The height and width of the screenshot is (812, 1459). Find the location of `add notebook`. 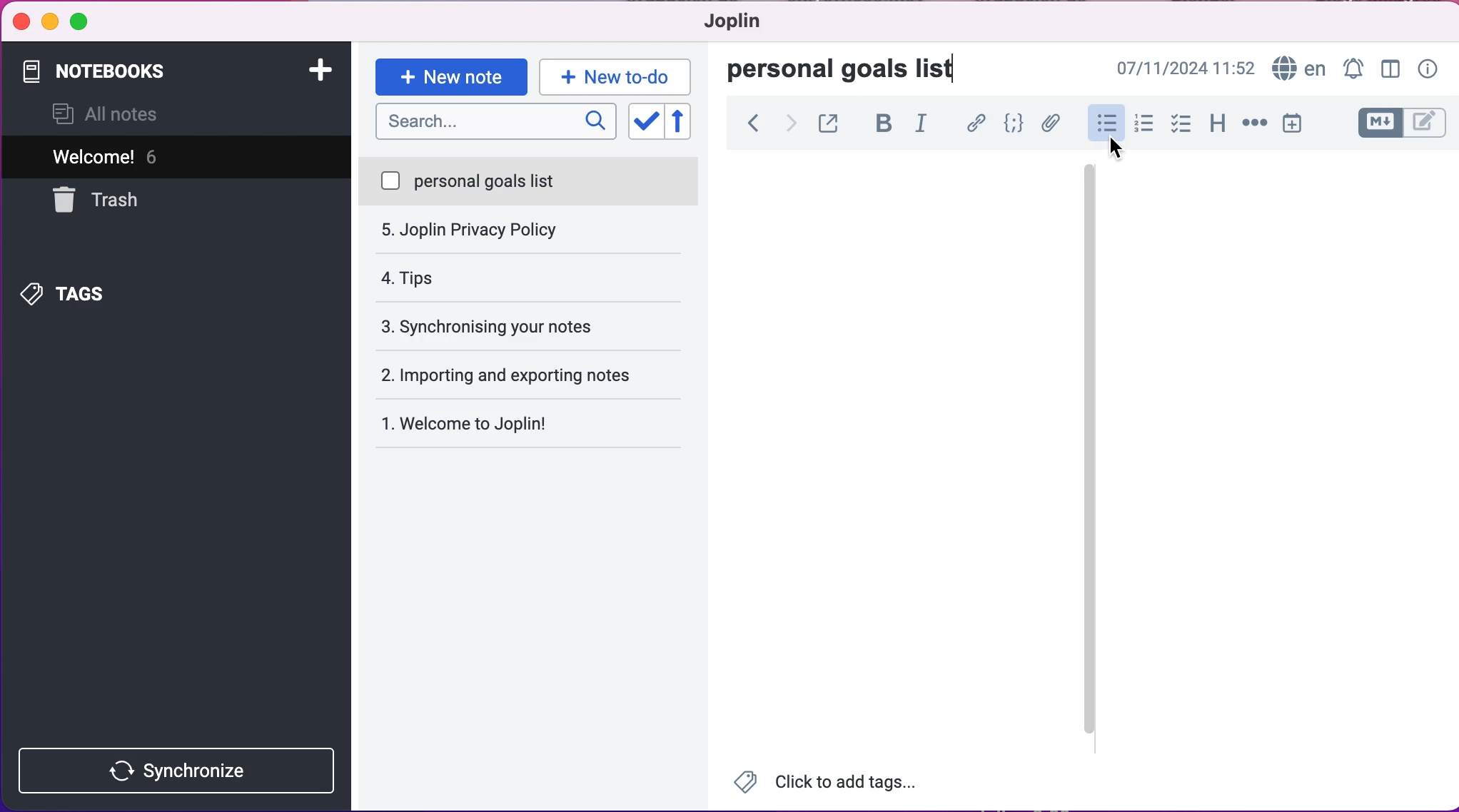

add notebook is located at coordinates (323, 73).